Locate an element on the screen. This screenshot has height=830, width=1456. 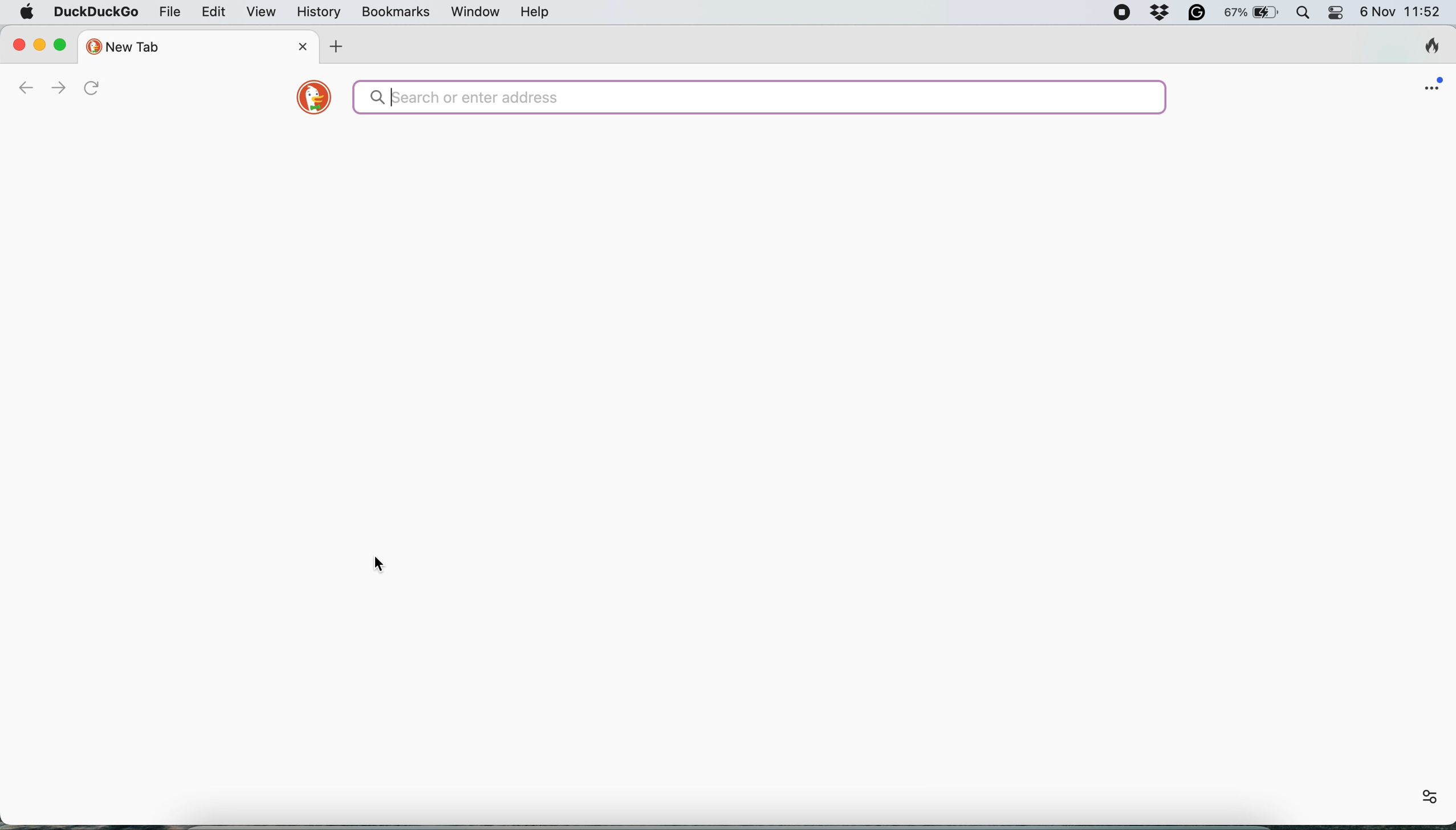
open application menu is located at coordinates (1431, 87).